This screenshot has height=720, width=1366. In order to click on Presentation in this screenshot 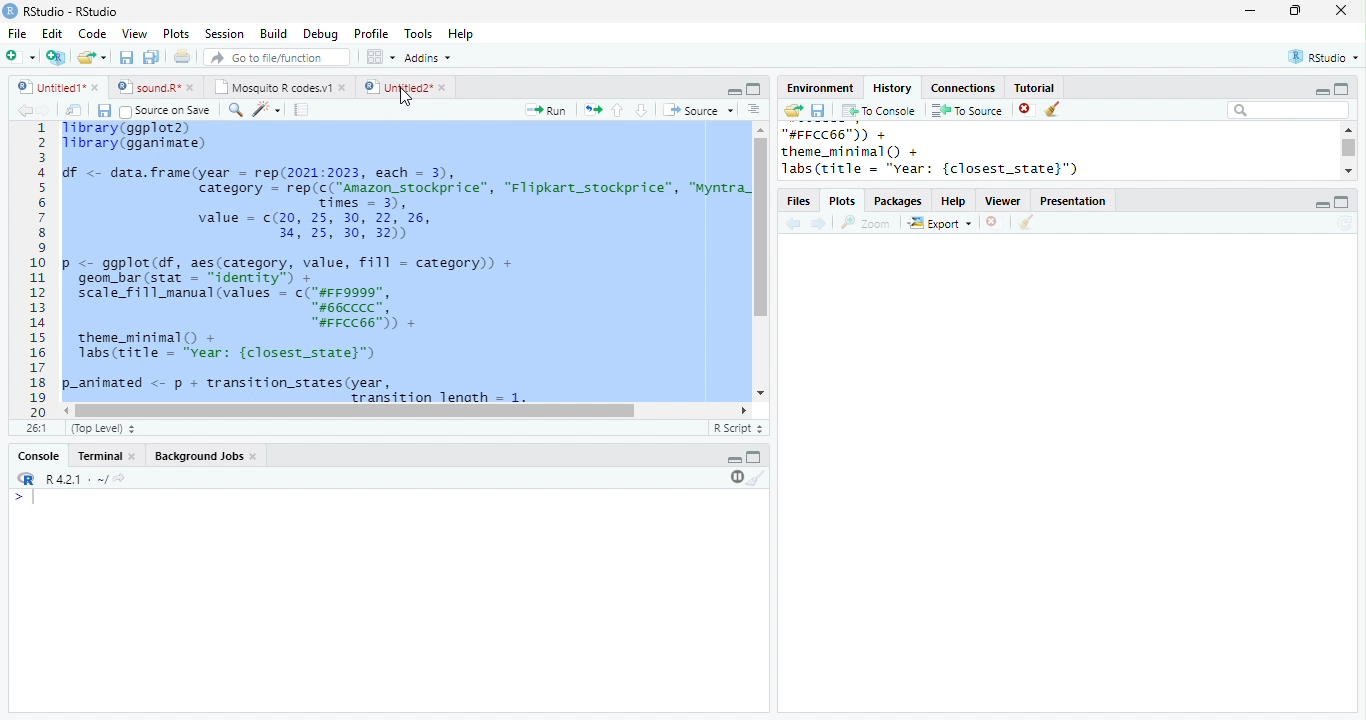, I will do `click(1073, 201)`.